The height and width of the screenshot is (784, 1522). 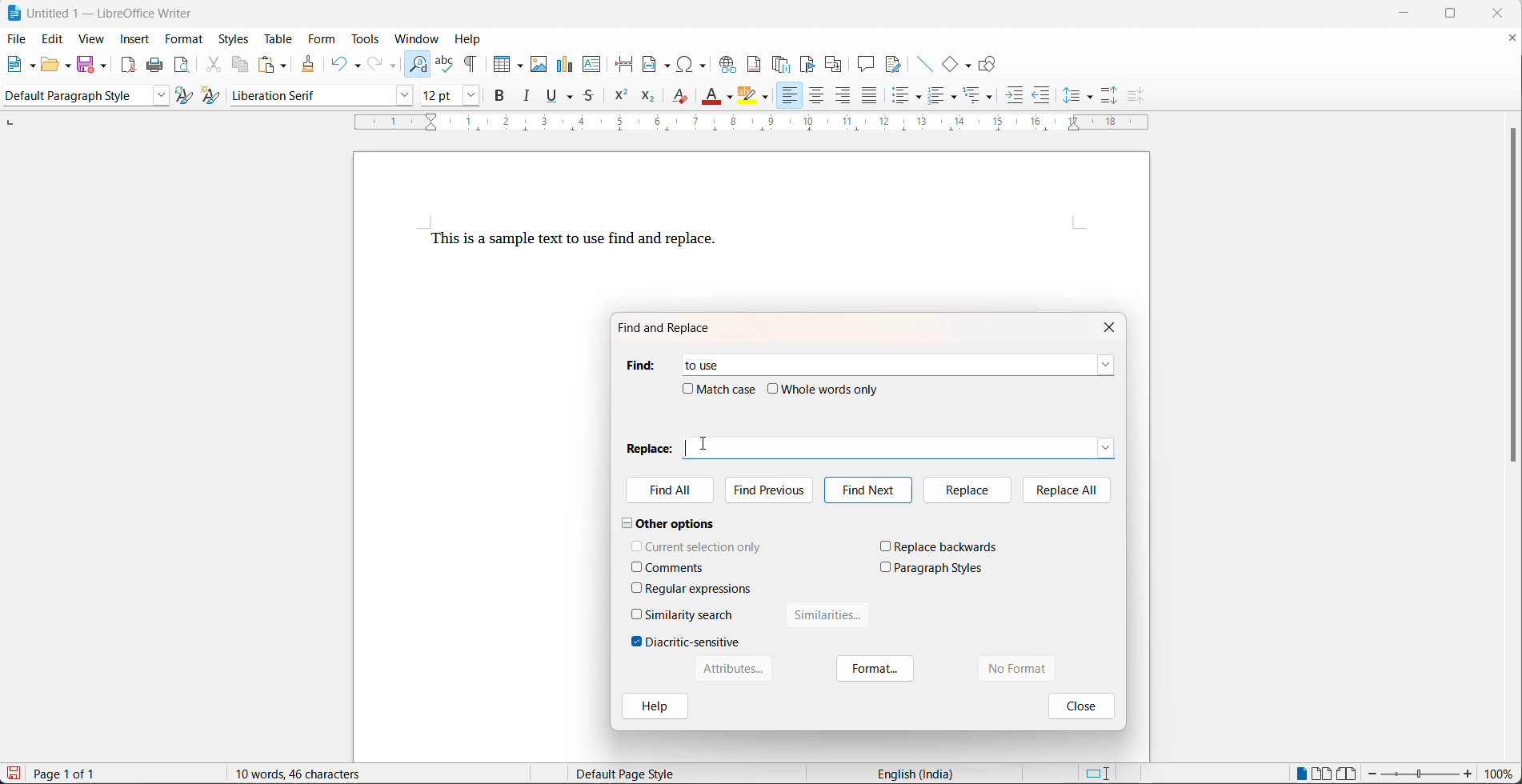 I want to click on decrease zoom, so click(x=1372, y=774).